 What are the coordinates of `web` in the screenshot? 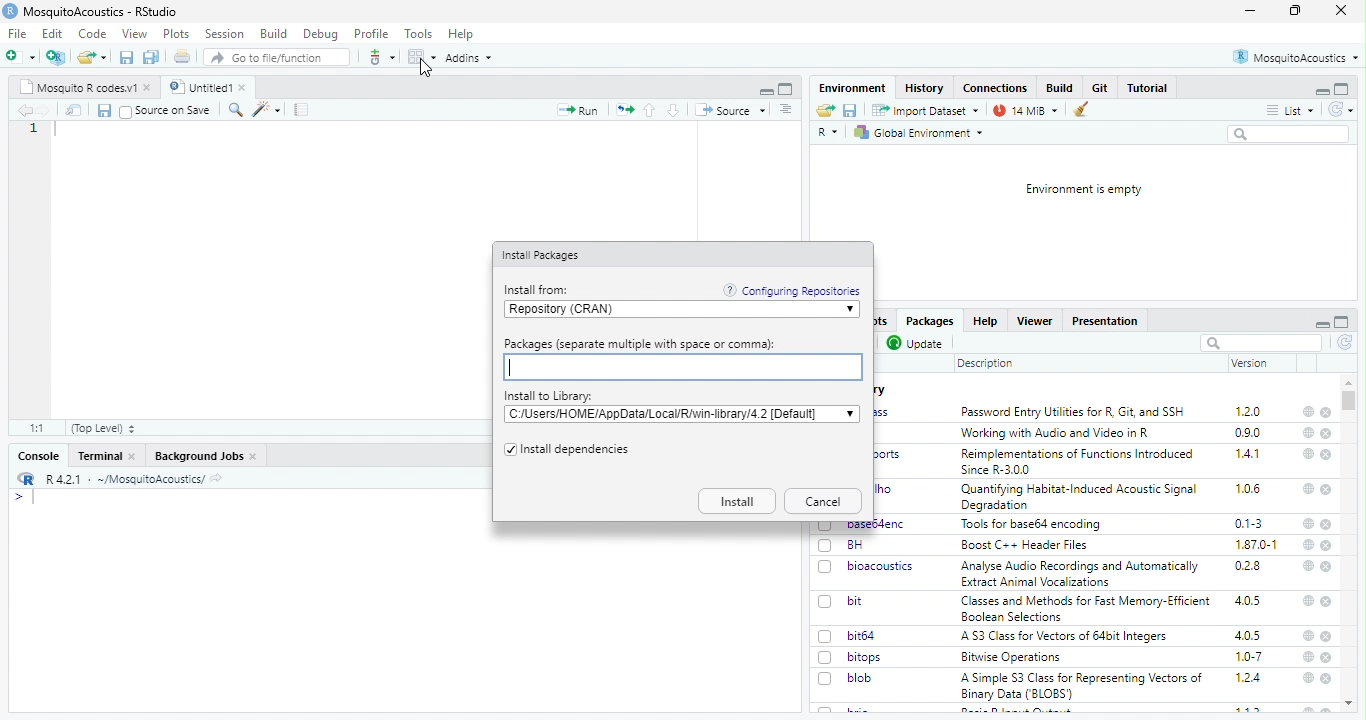 It's located at (1310, 544).